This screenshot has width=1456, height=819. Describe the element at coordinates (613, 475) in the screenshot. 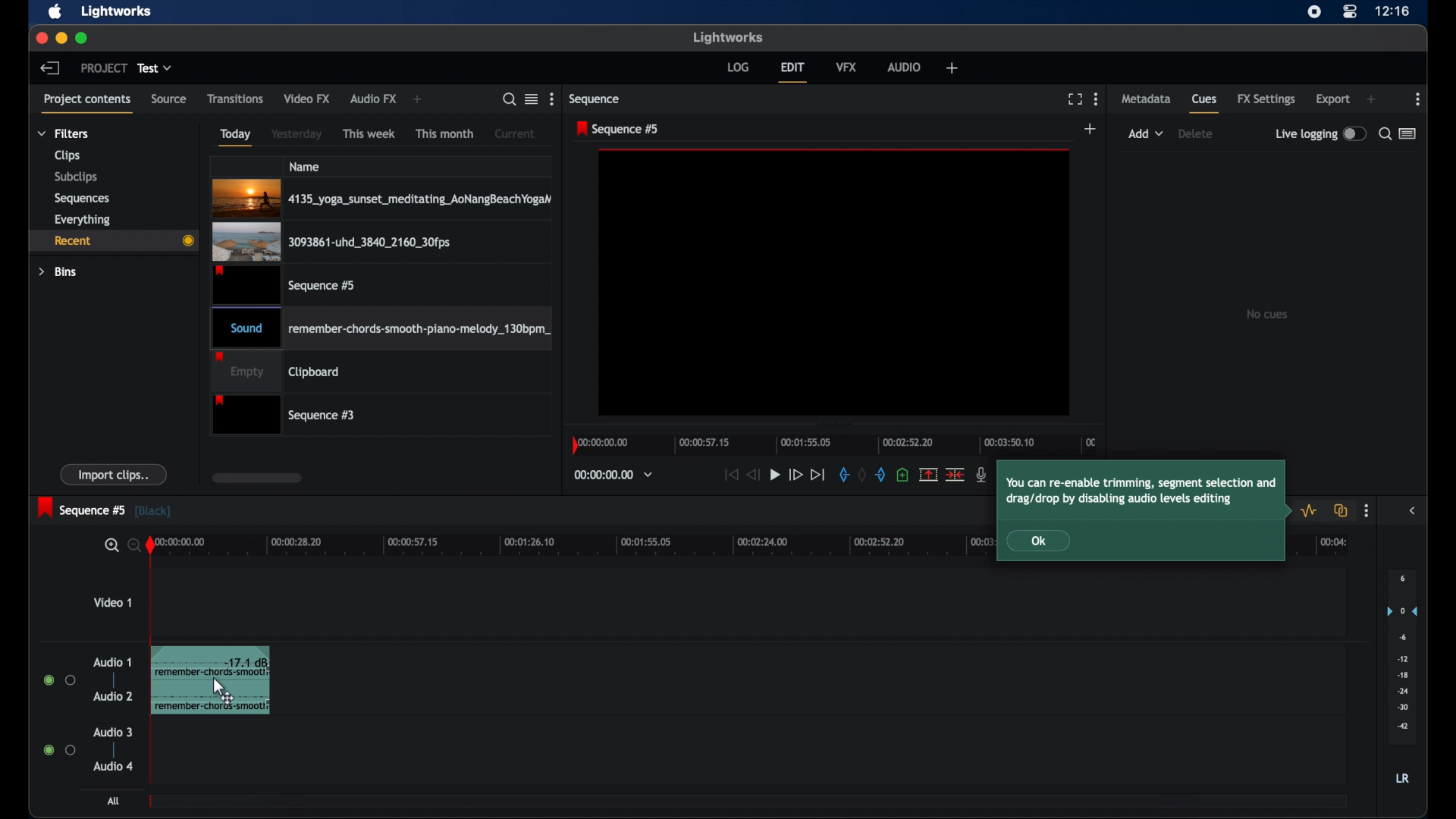

I see `timecodes and reels` at that location.